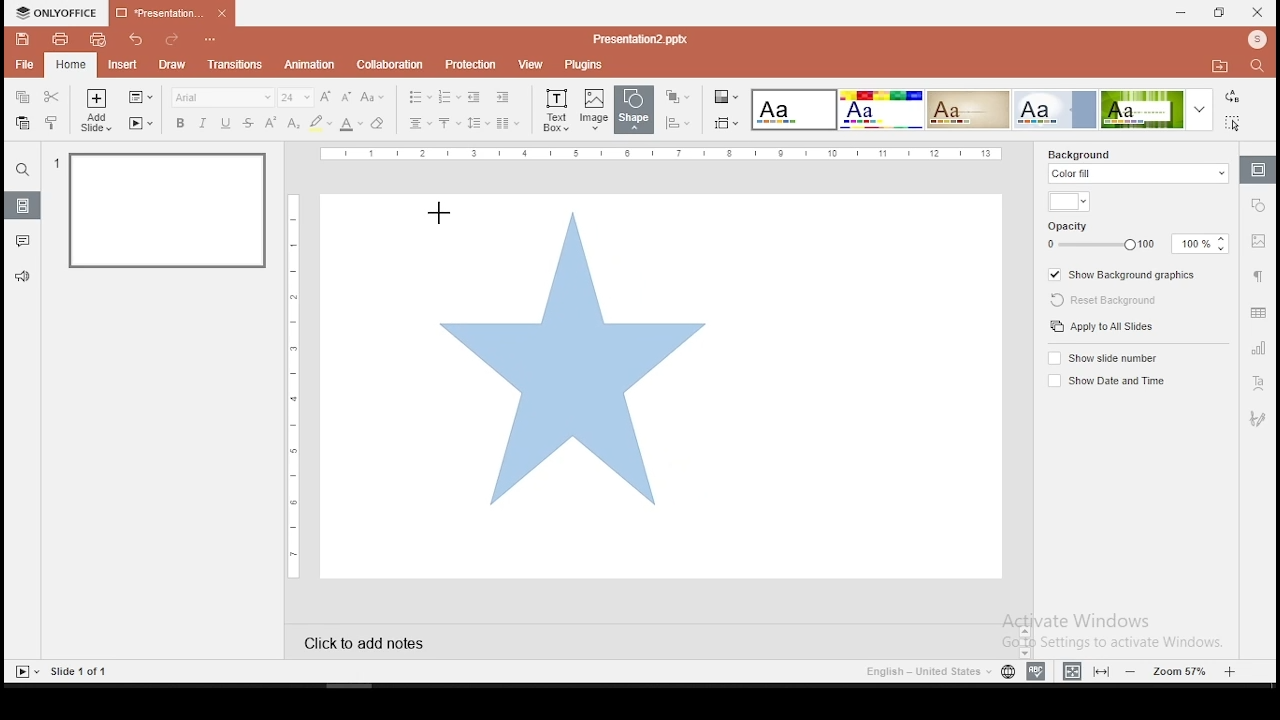  Describe the element at coordinates (1230, 669) in the screenshot. I see `zoom in` at that location.